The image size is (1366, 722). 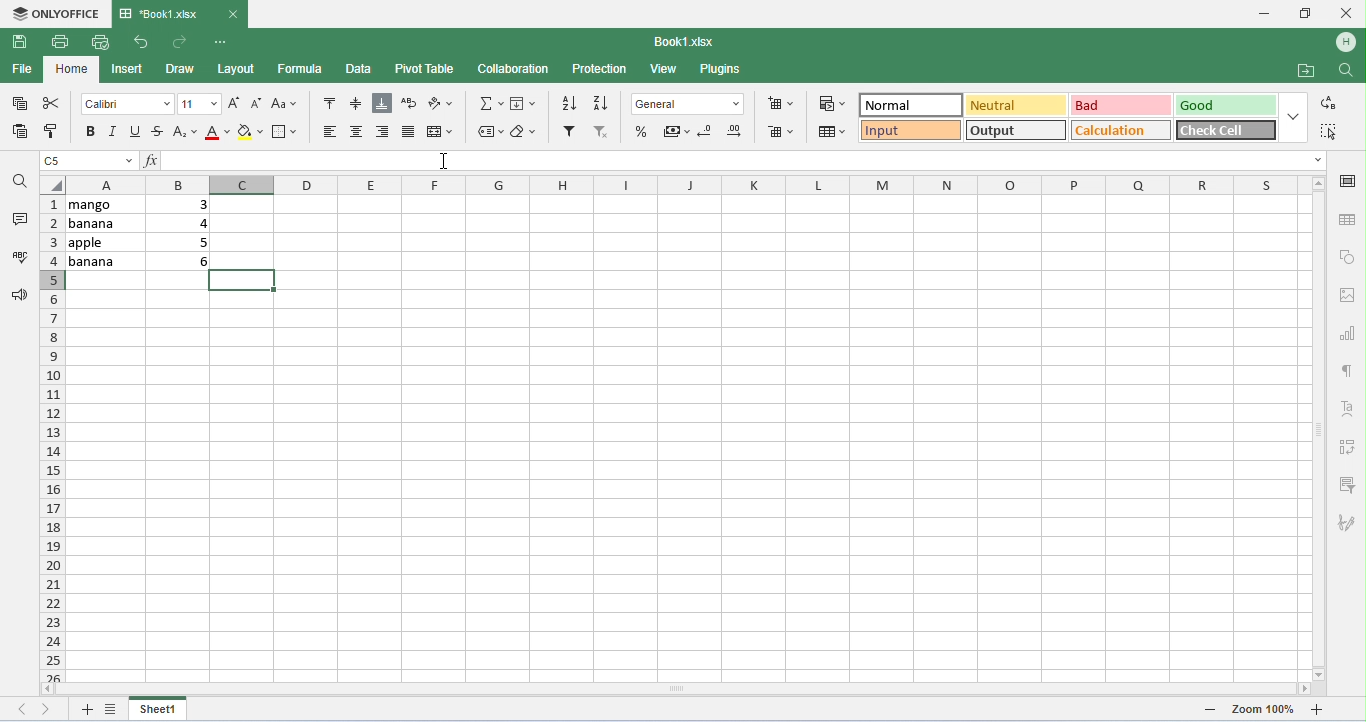 I want to click on align top, so click(x=327, y=102).